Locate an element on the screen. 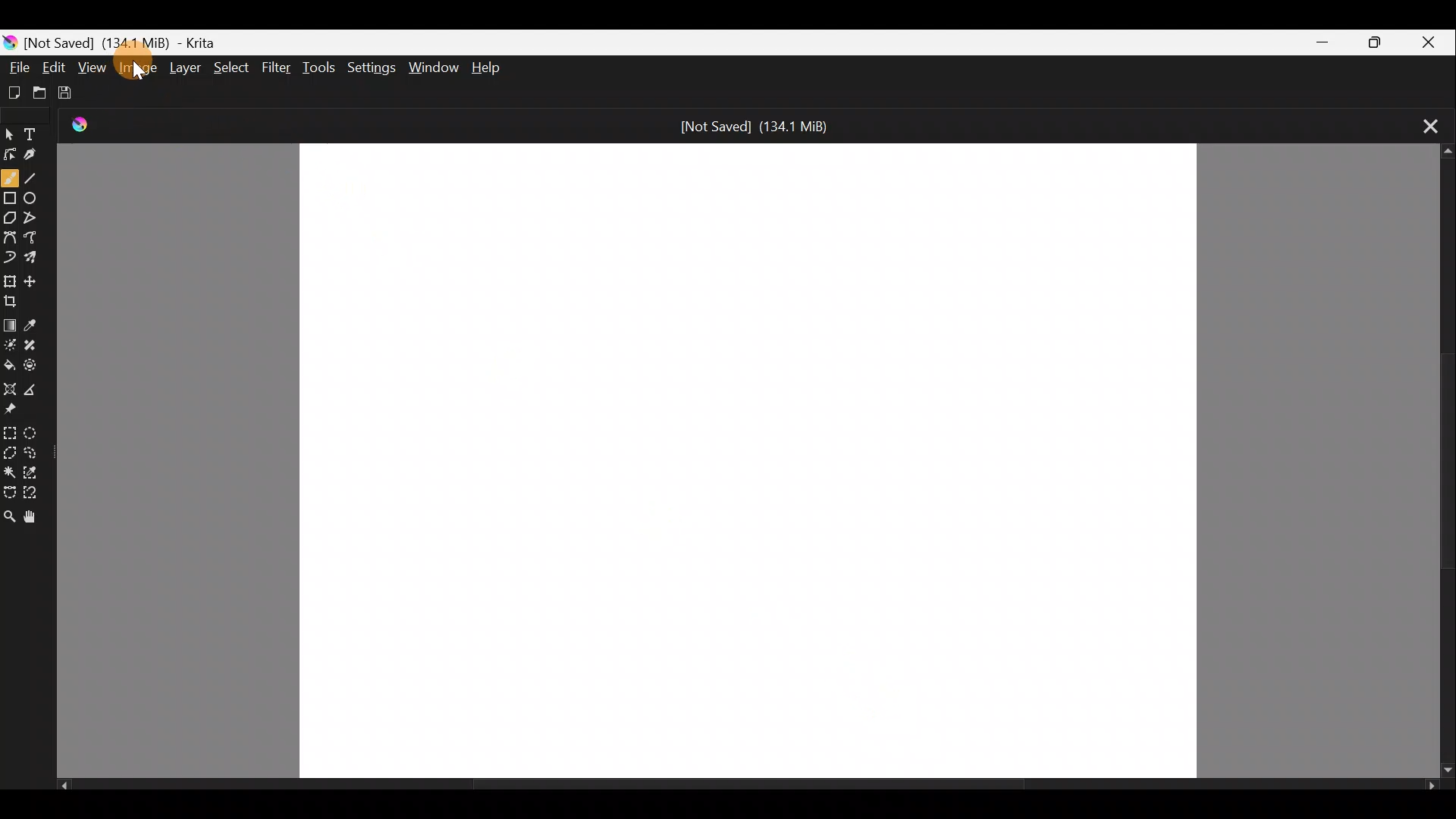 Image resolution: width=1456 pixels, height=819 pixels. Move a layer is located at coordinates (36, 280).